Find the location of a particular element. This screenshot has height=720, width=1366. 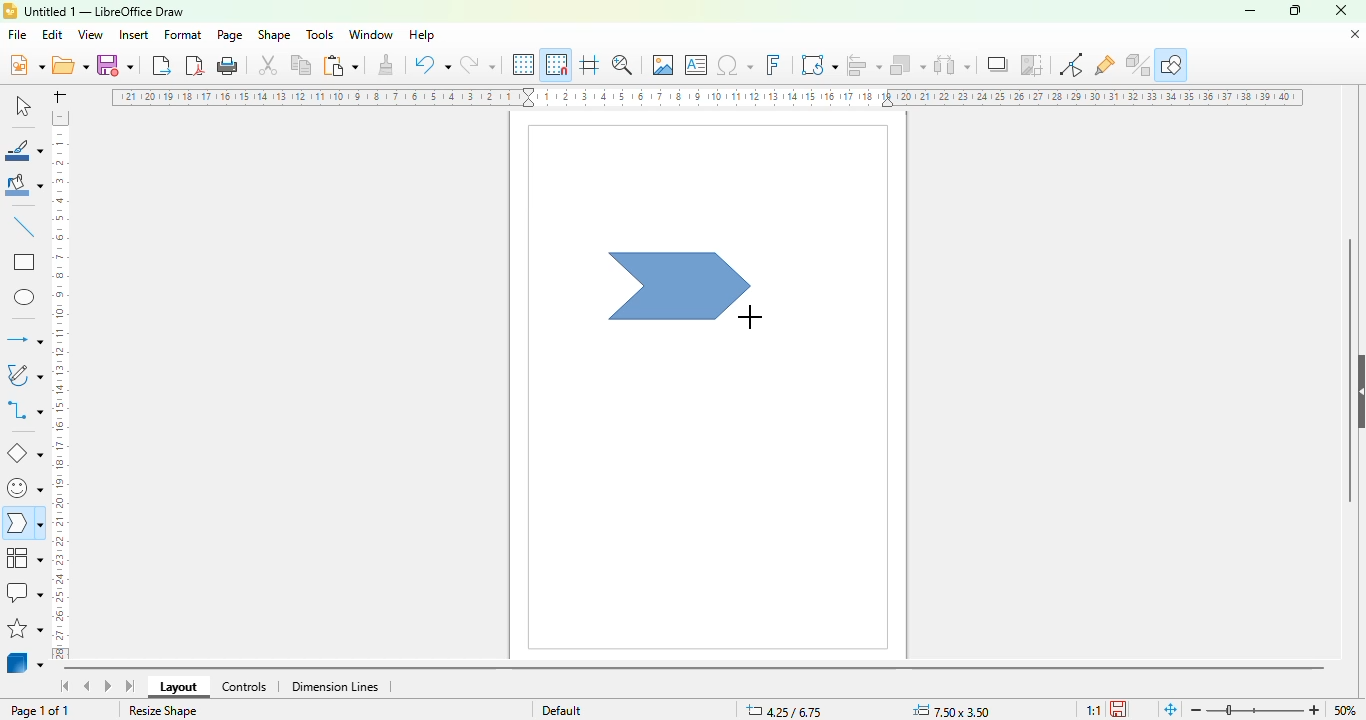

zoom & pan is located at coordinates (622, 64).